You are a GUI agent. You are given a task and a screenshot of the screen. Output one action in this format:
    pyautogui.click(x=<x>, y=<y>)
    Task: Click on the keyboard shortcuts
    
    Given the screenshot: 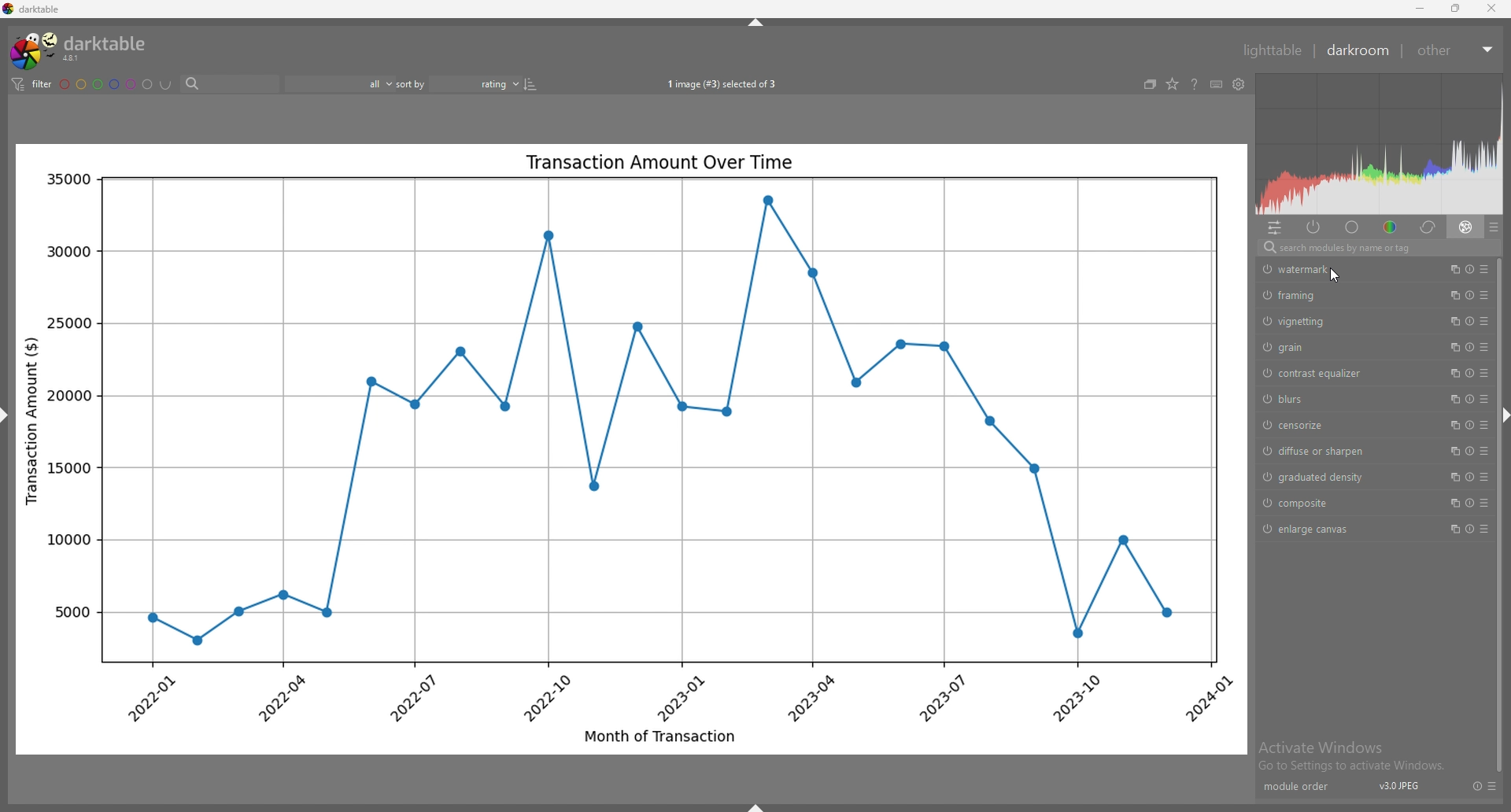 What is the action you would take?
    pyautogui.click(x=1216, y=84)
    